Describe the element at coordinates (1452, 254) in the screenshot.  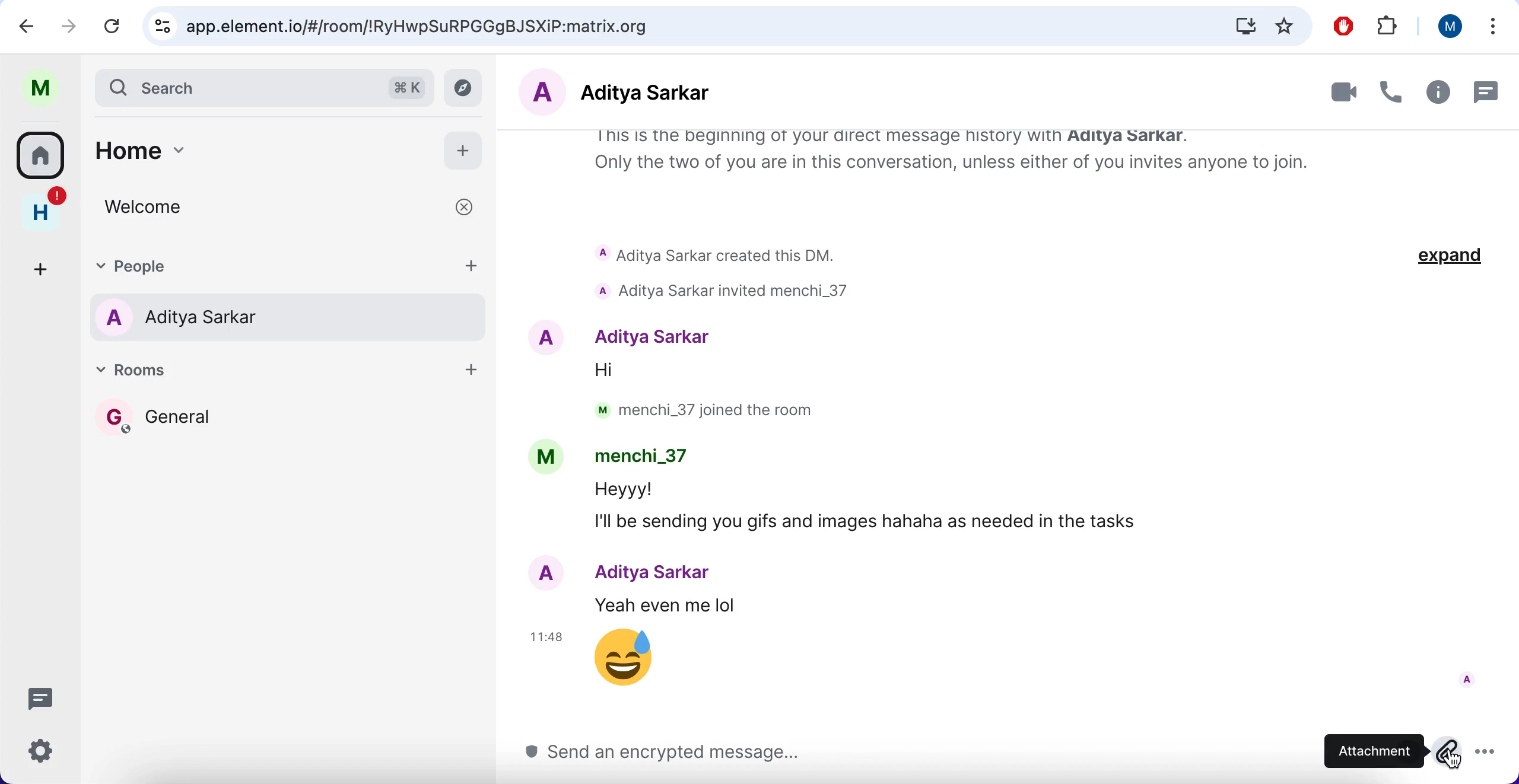
I see `expand` at that location.